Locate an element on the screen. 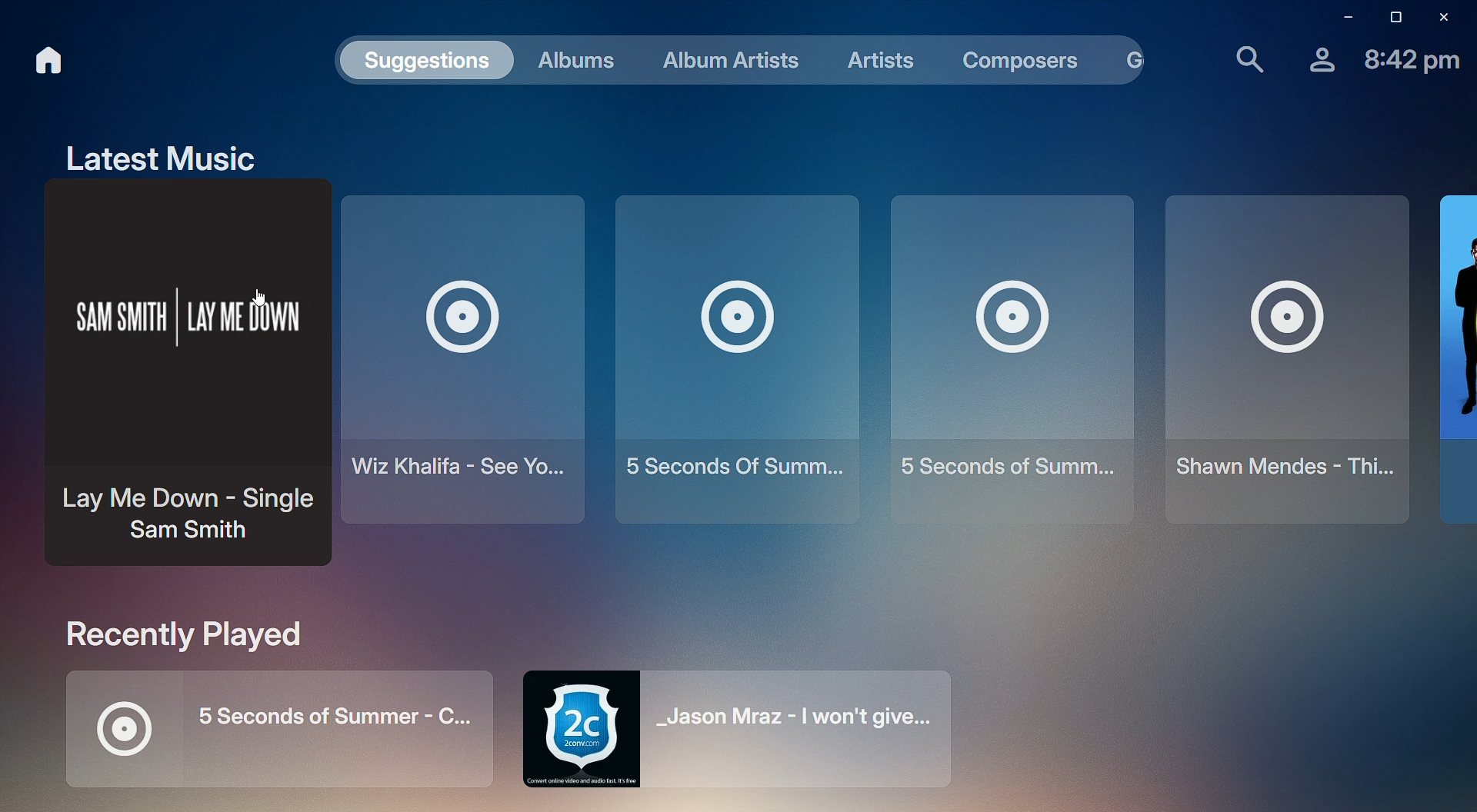 The height and width of the screenshot is (812, 1477). Recently Played is located at coordinates (169, 636).